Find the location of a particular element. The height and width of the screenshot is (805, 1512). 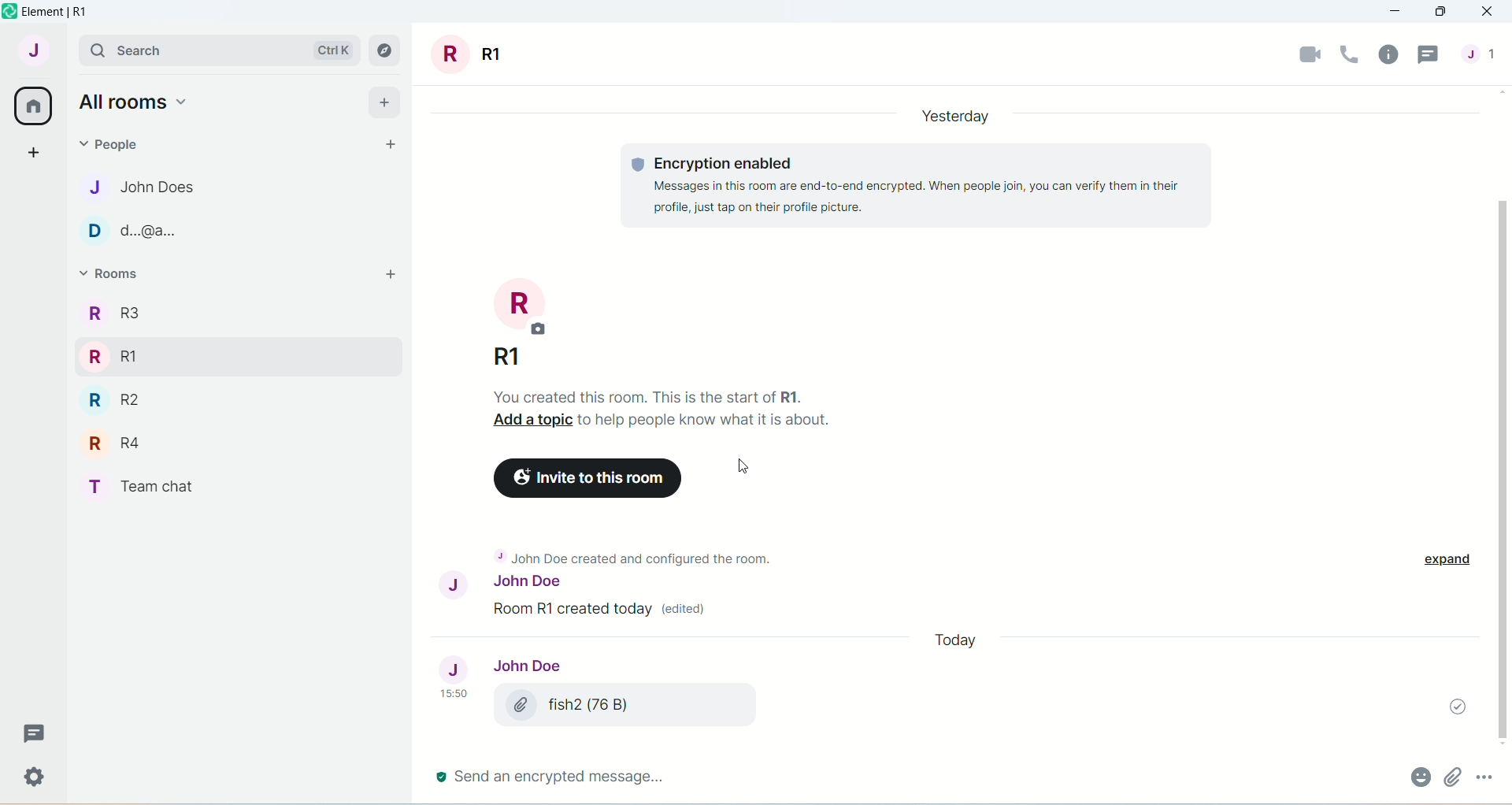

R R4 is located at coordinates (119, 444).